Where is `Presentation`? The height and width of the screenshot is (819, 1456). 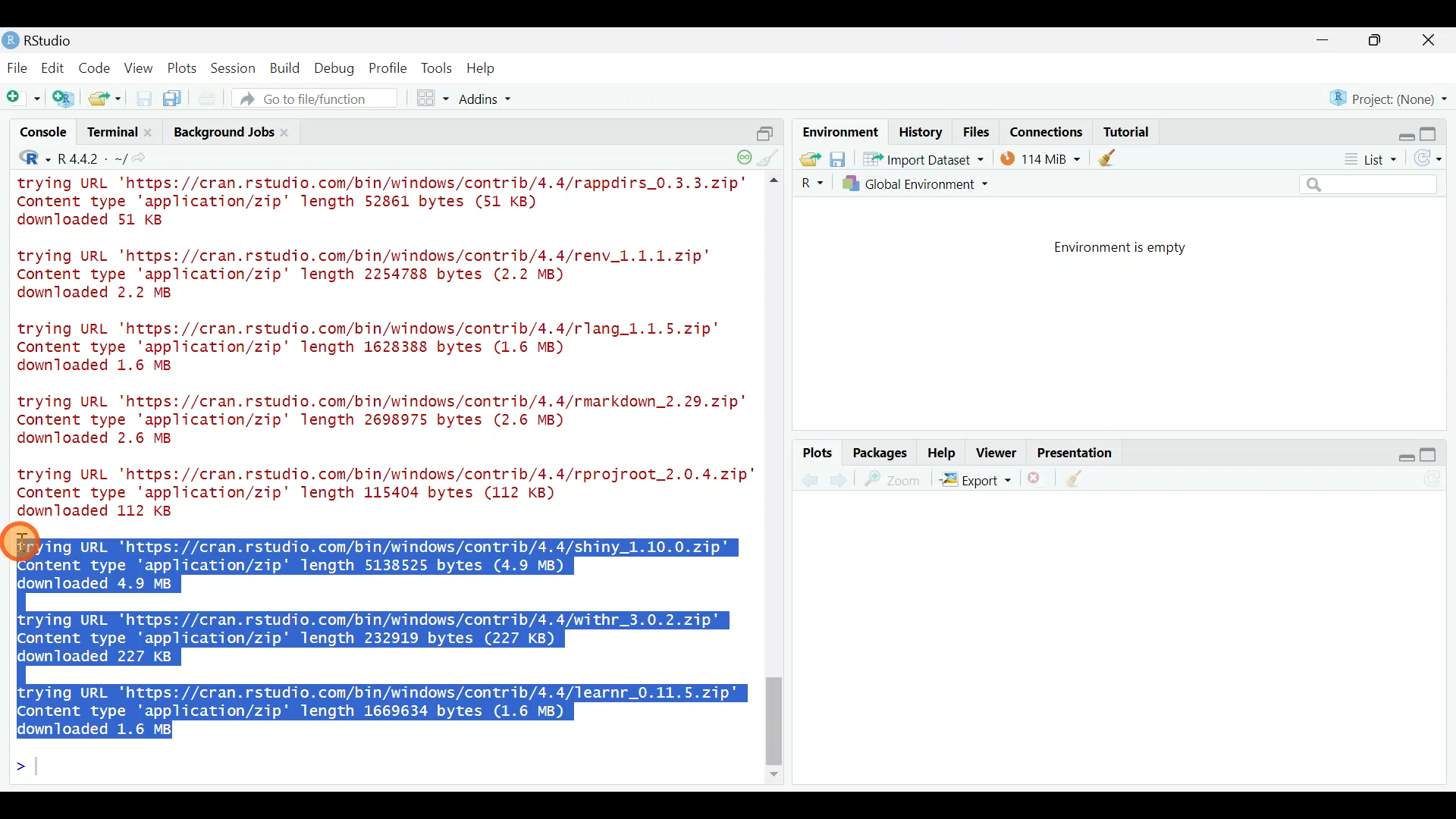
Presentation is located at coordinates (1078, 453).